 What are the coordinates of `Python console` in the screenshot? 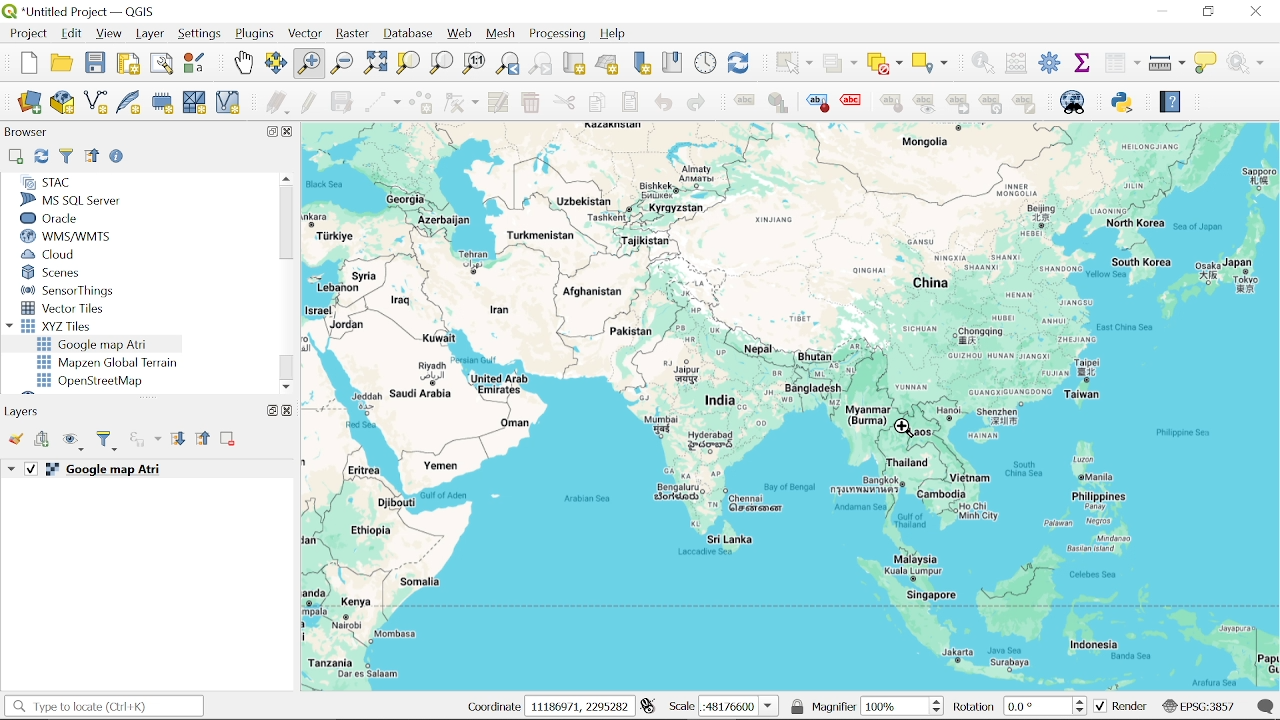 It's located at (1124, 102).